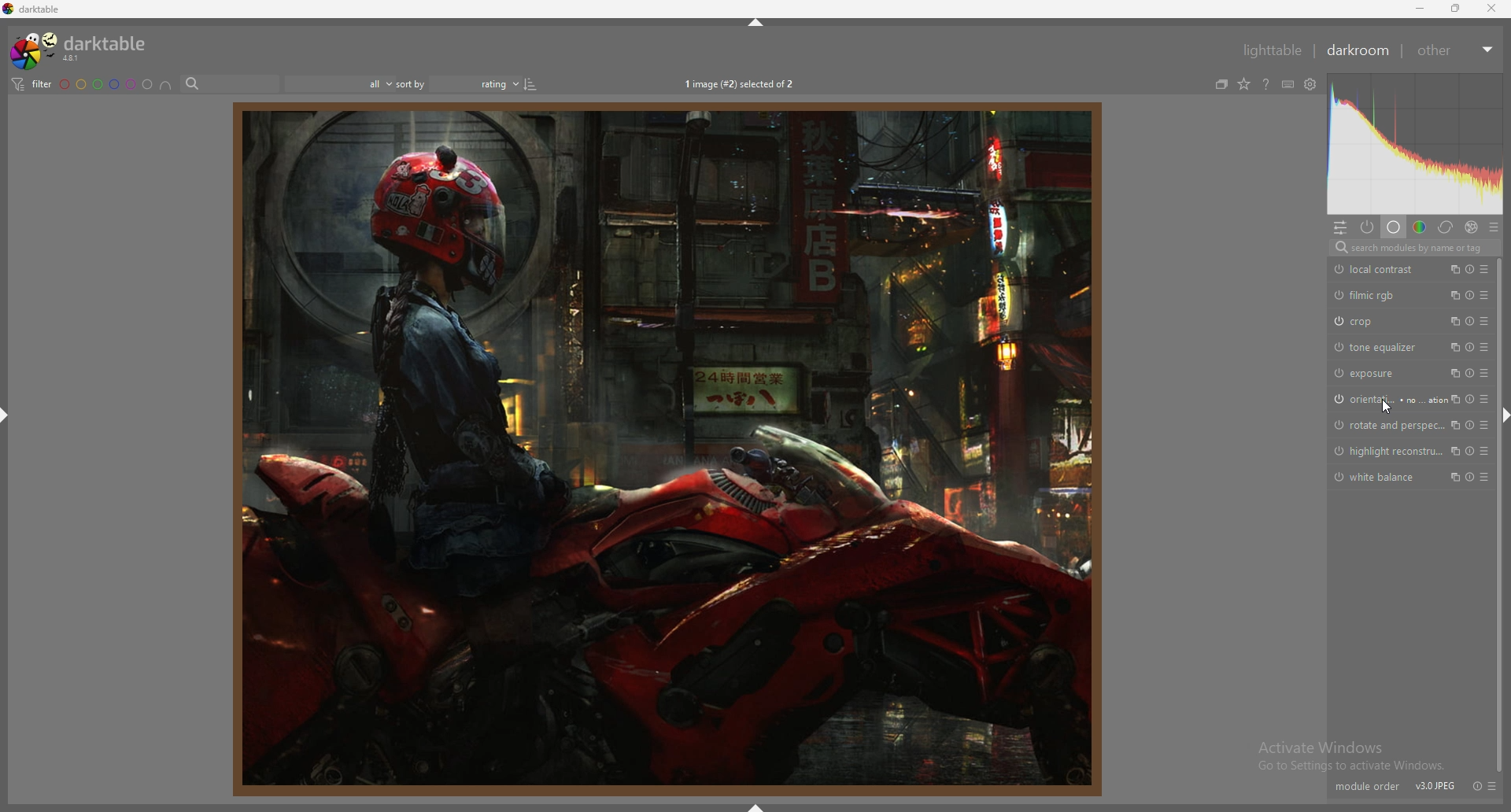  What do you see at coordinates (1453, 398) in the screenshot?
I see `multiple instances action` at bounding box center [1453, 398].